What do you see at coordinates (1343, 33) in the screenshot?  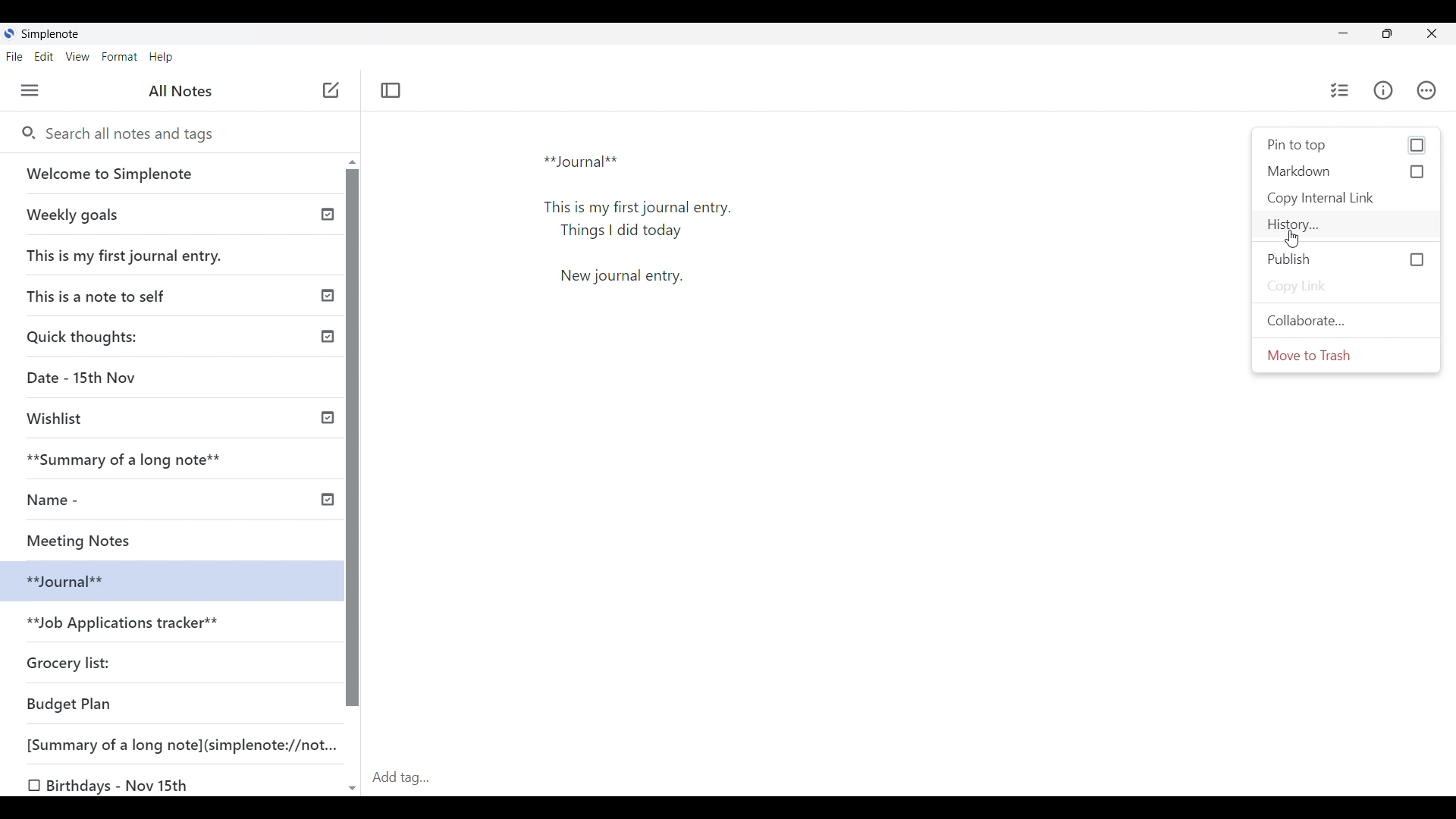 I see `Minimize` at bounding box center [1343, 33].